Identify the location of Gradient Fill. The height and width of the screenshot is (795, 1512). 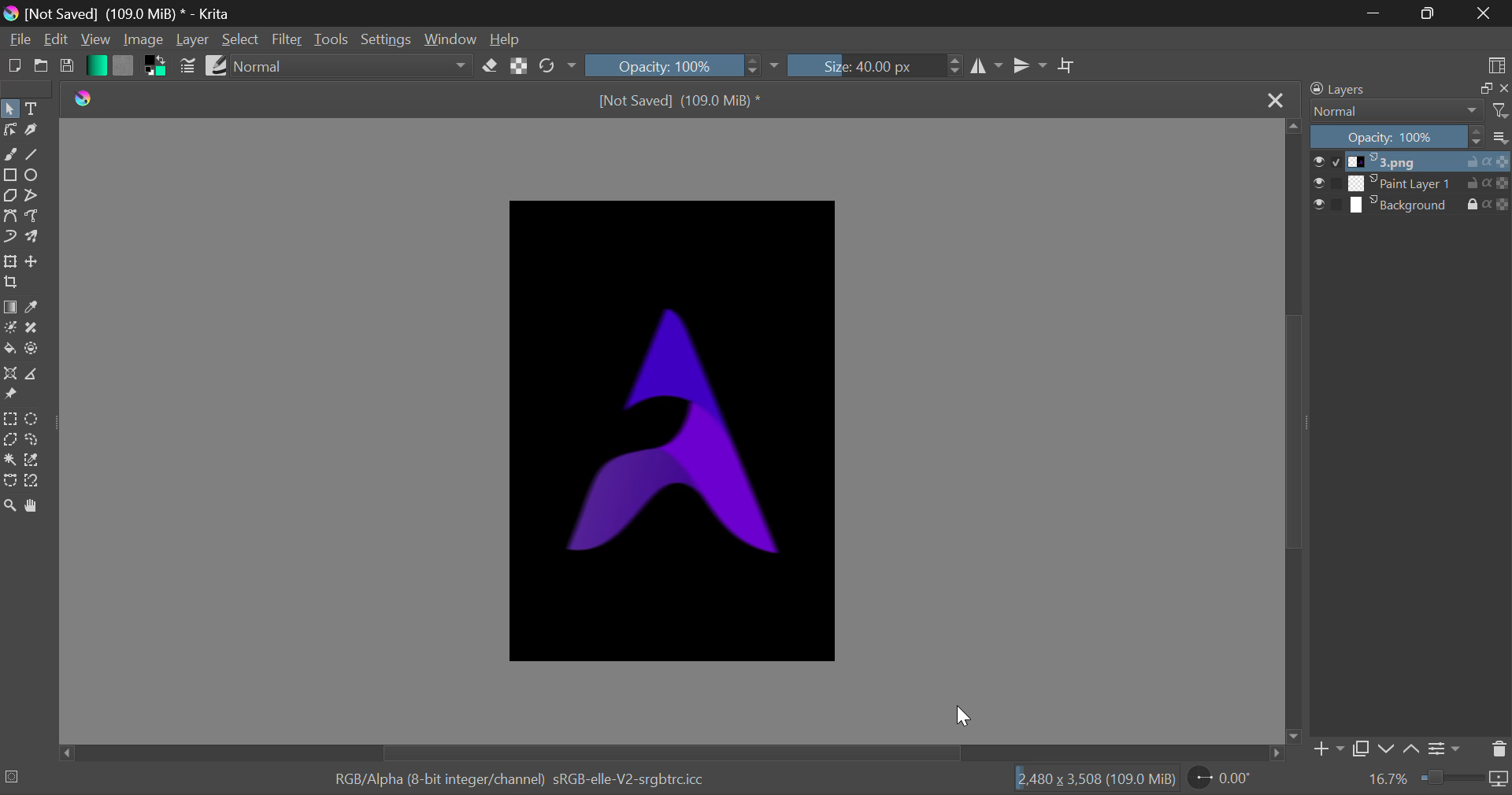
(9, 307).